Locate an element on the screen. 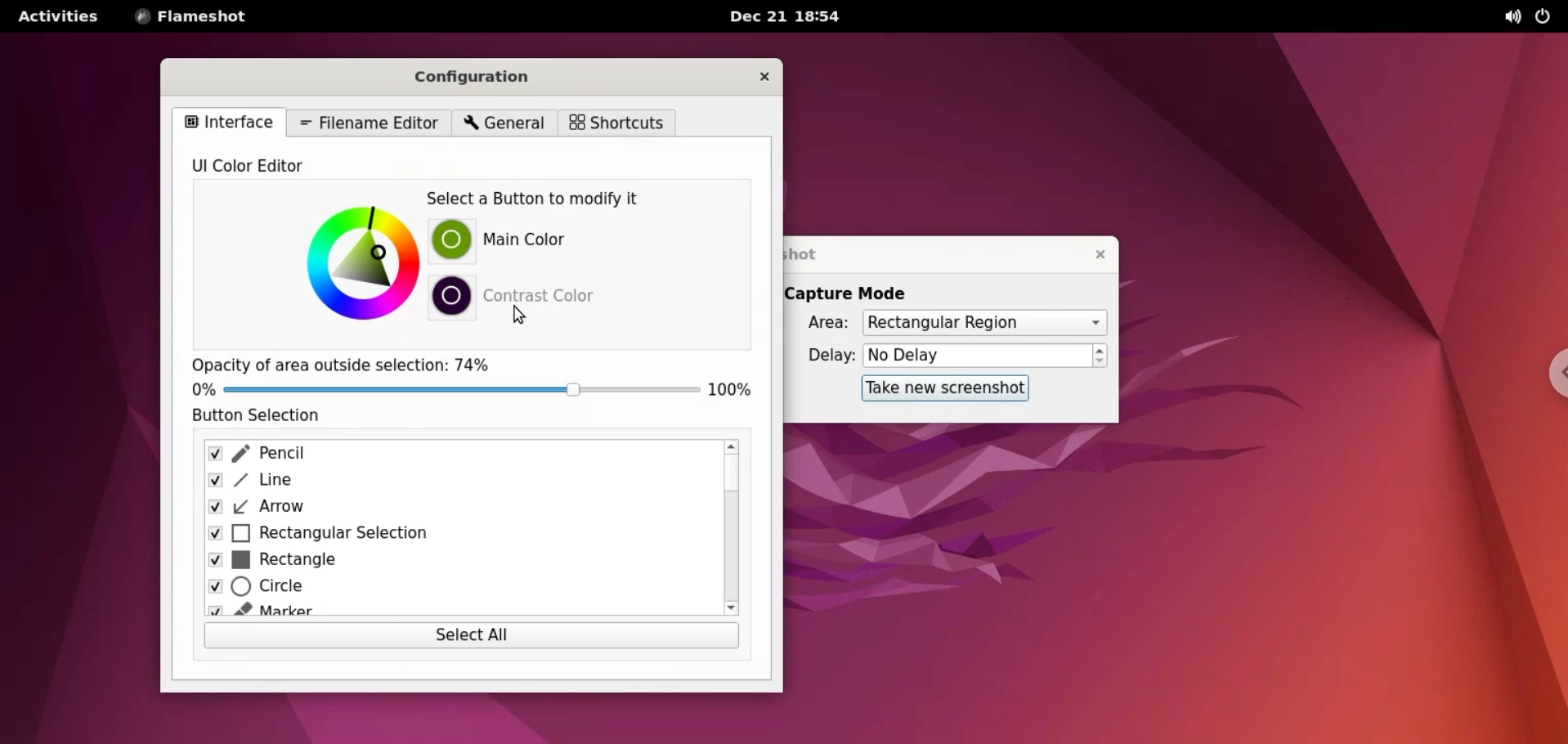 This screenshot has height=744, width=1568. general is located at coordinates (502, 124).